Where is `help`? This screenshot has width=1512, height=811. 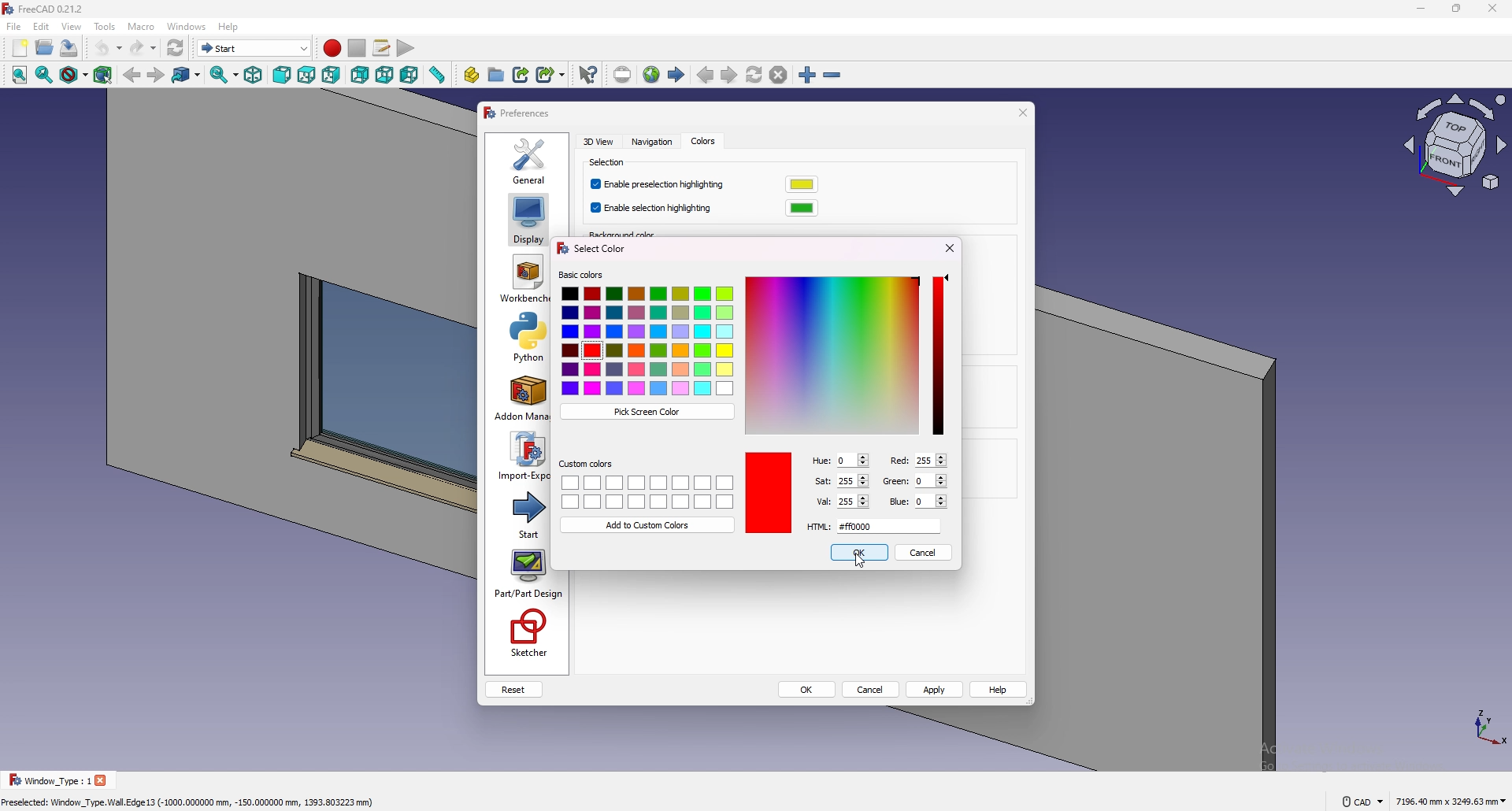
help is located at coordinates (999, 690).